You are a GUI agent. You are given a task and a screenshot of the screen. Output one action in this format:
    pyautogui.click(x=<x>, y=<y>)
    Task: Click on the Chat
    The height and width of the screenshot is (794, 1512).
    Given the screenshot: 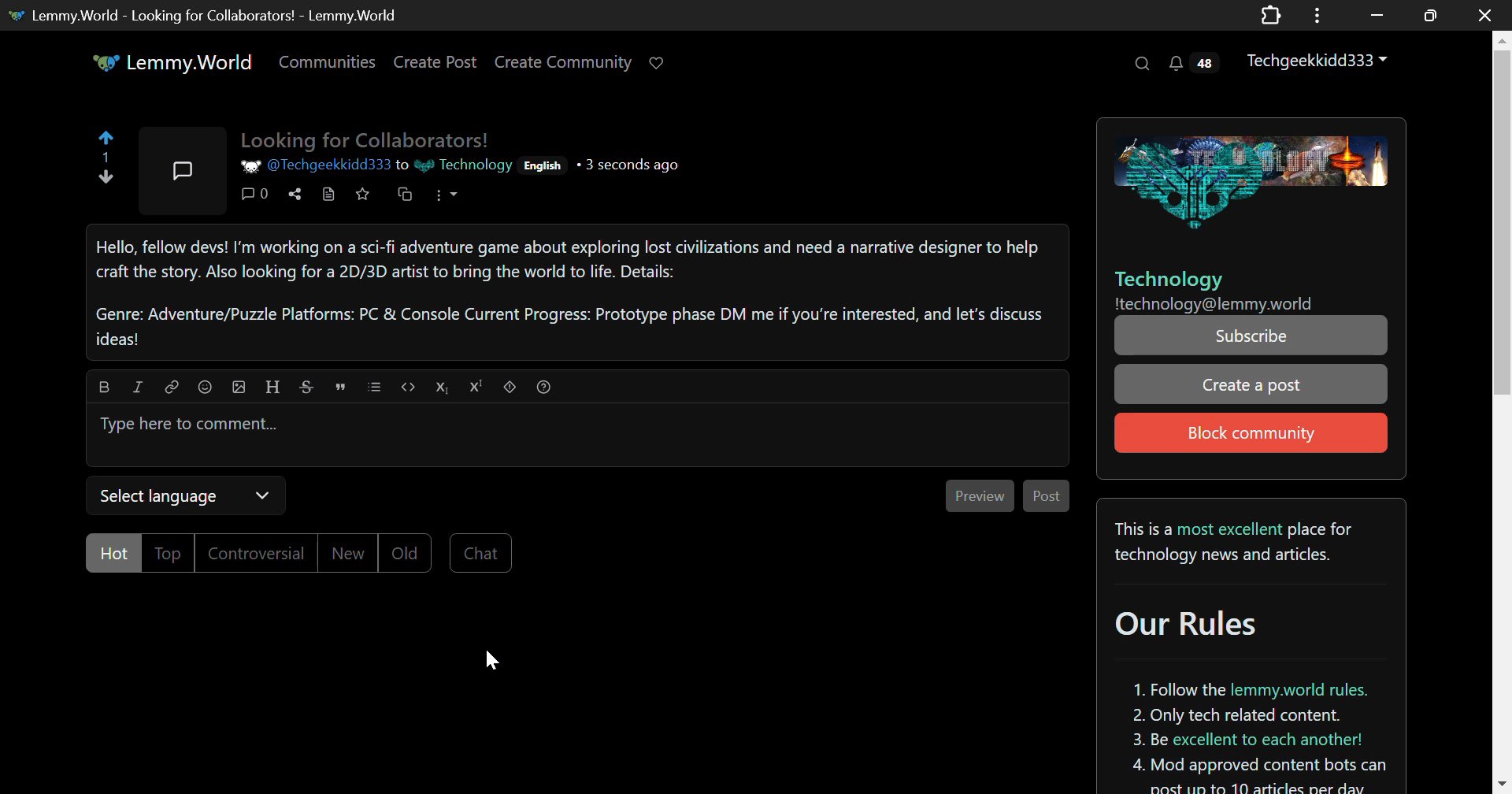 What is the action you would take?
    pyautogui.click(x=480, y=554)
    